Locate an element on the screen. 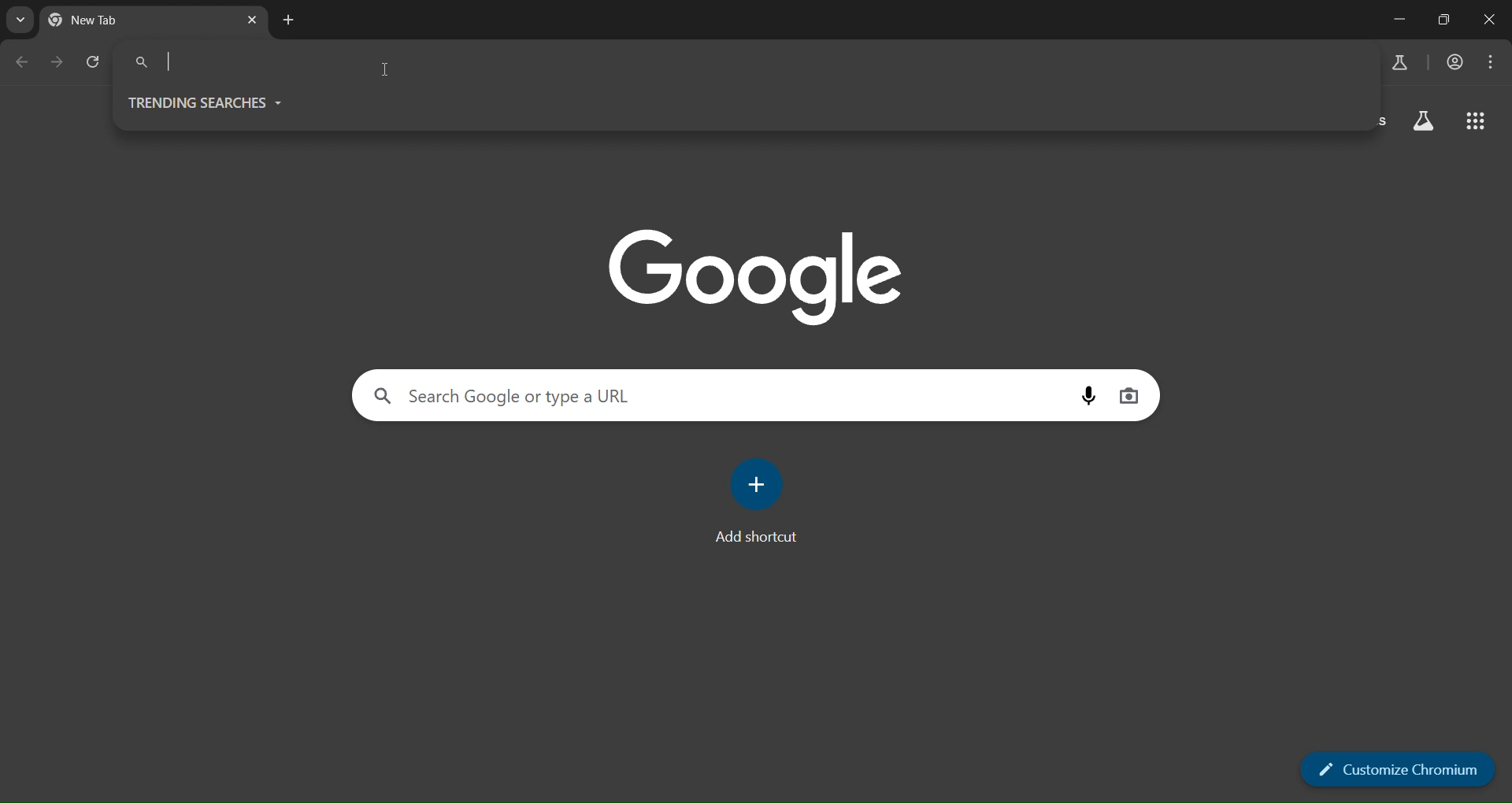 This screenshot has height=803, width=1512. close is located at coordinates (1488, 18).